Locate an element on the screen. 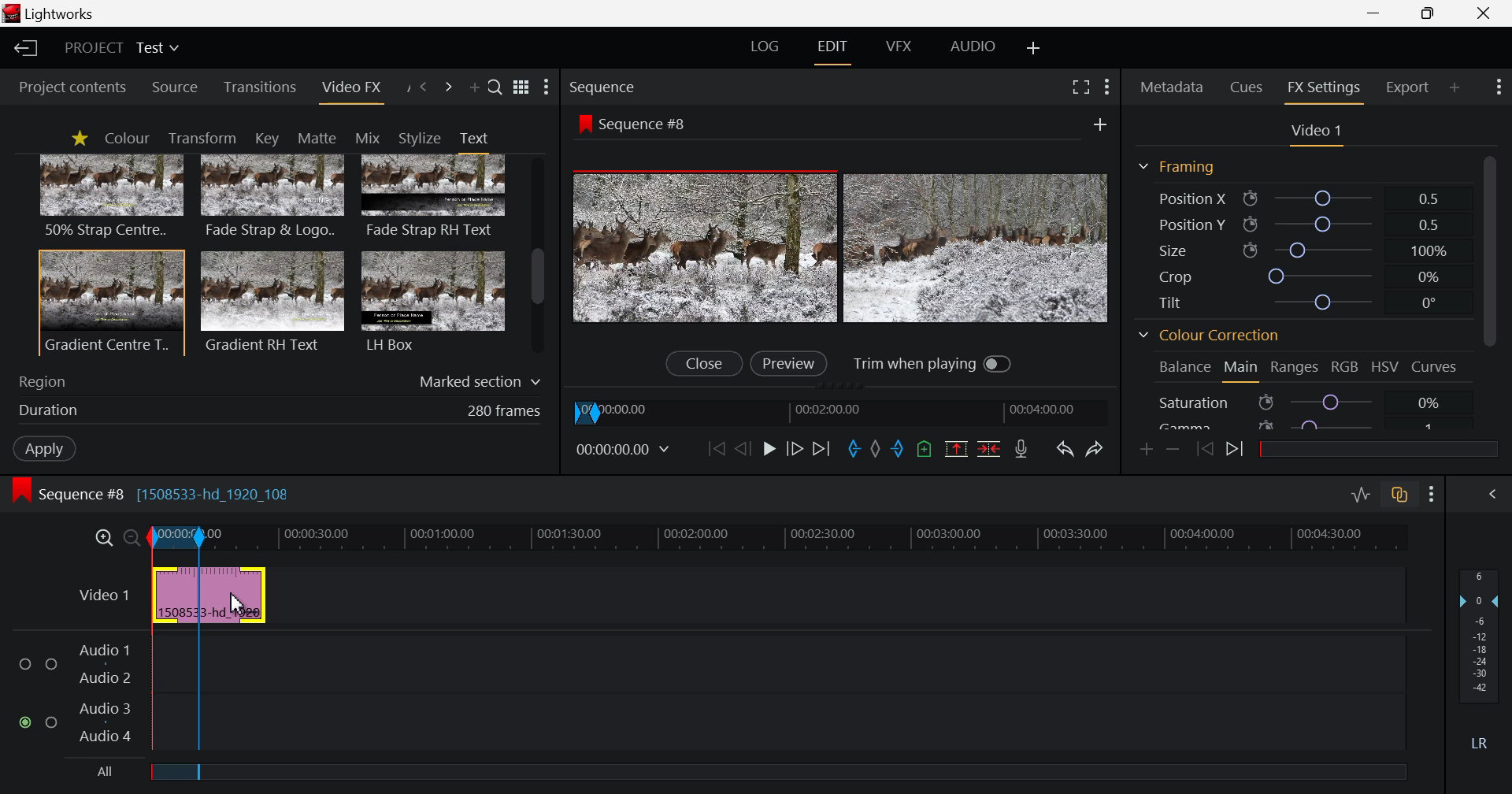 This screenshot has height=794, width=1512. Previous keyframe is located at coordinates (1205, 449).